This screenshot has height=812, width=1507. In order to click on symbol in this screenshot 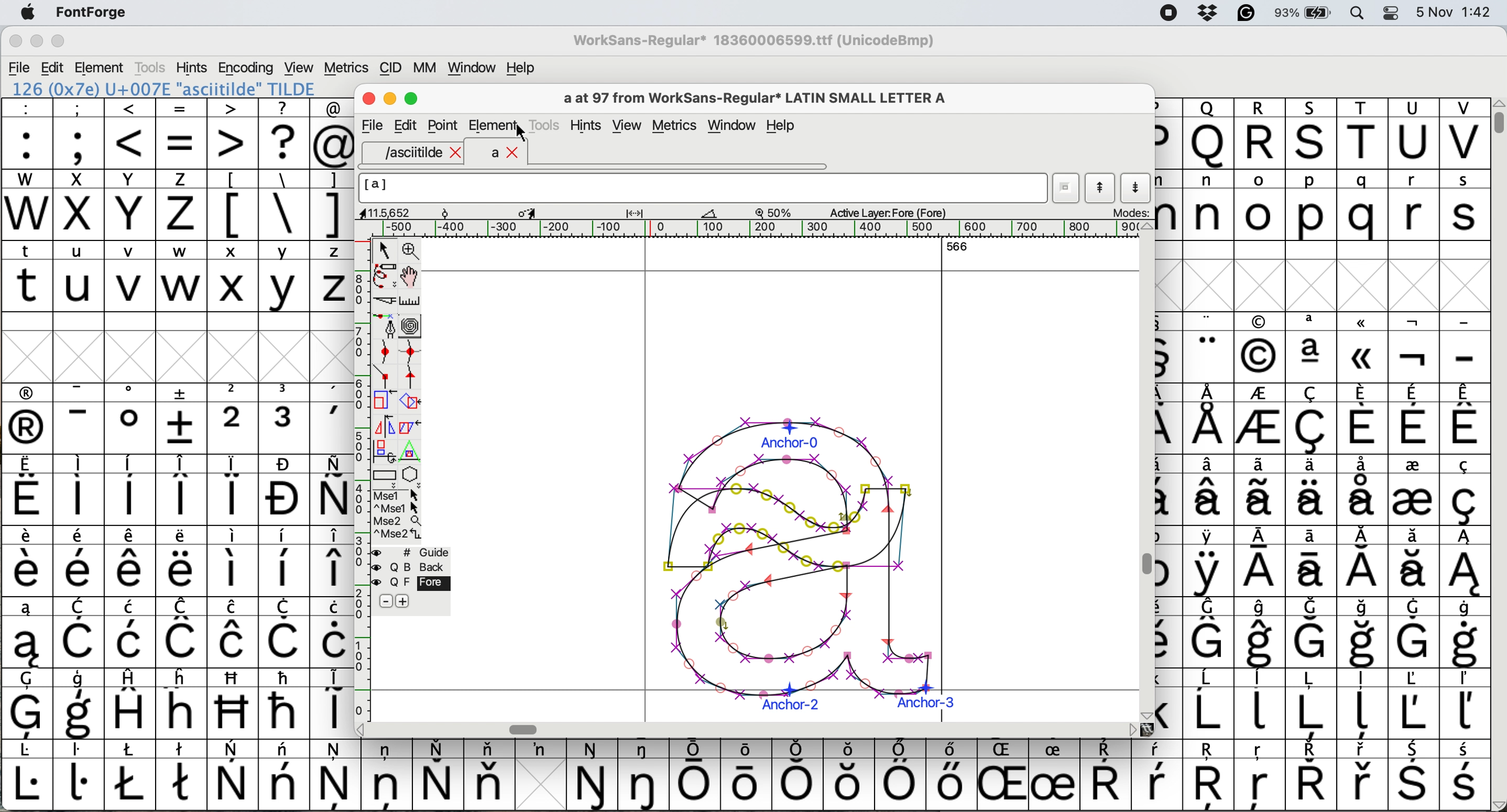, I will do `click(1464, 633)`.